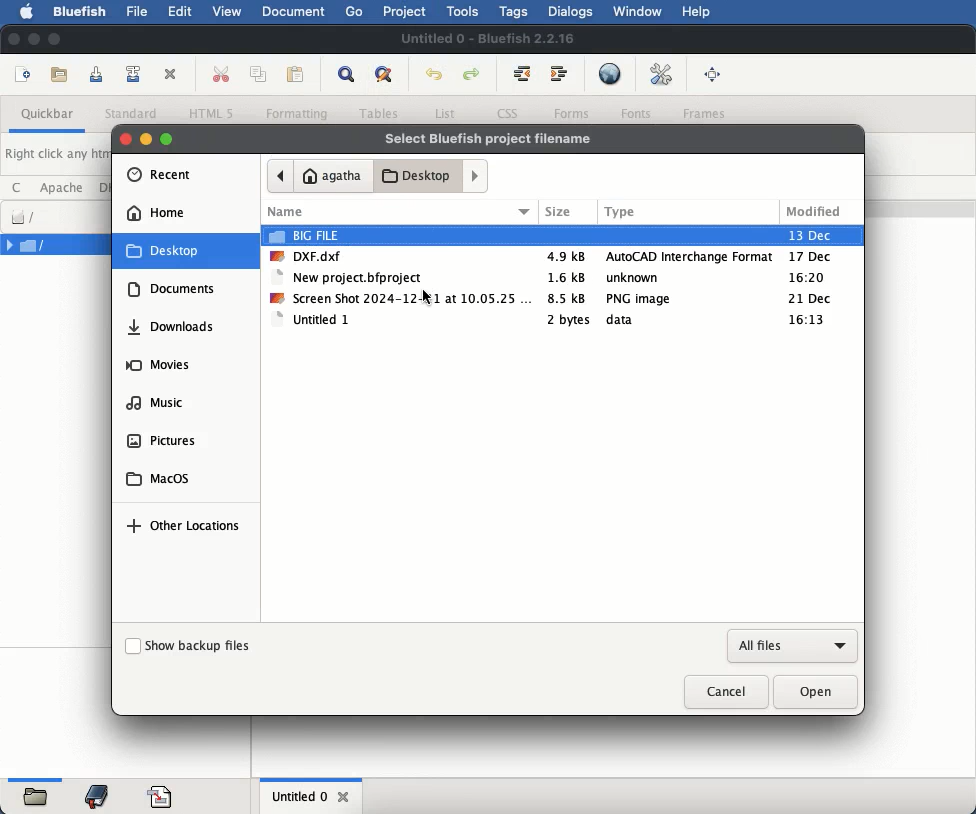  Describe the element at coordinates (20, 188) in the screenshot. I see `c` at that location.